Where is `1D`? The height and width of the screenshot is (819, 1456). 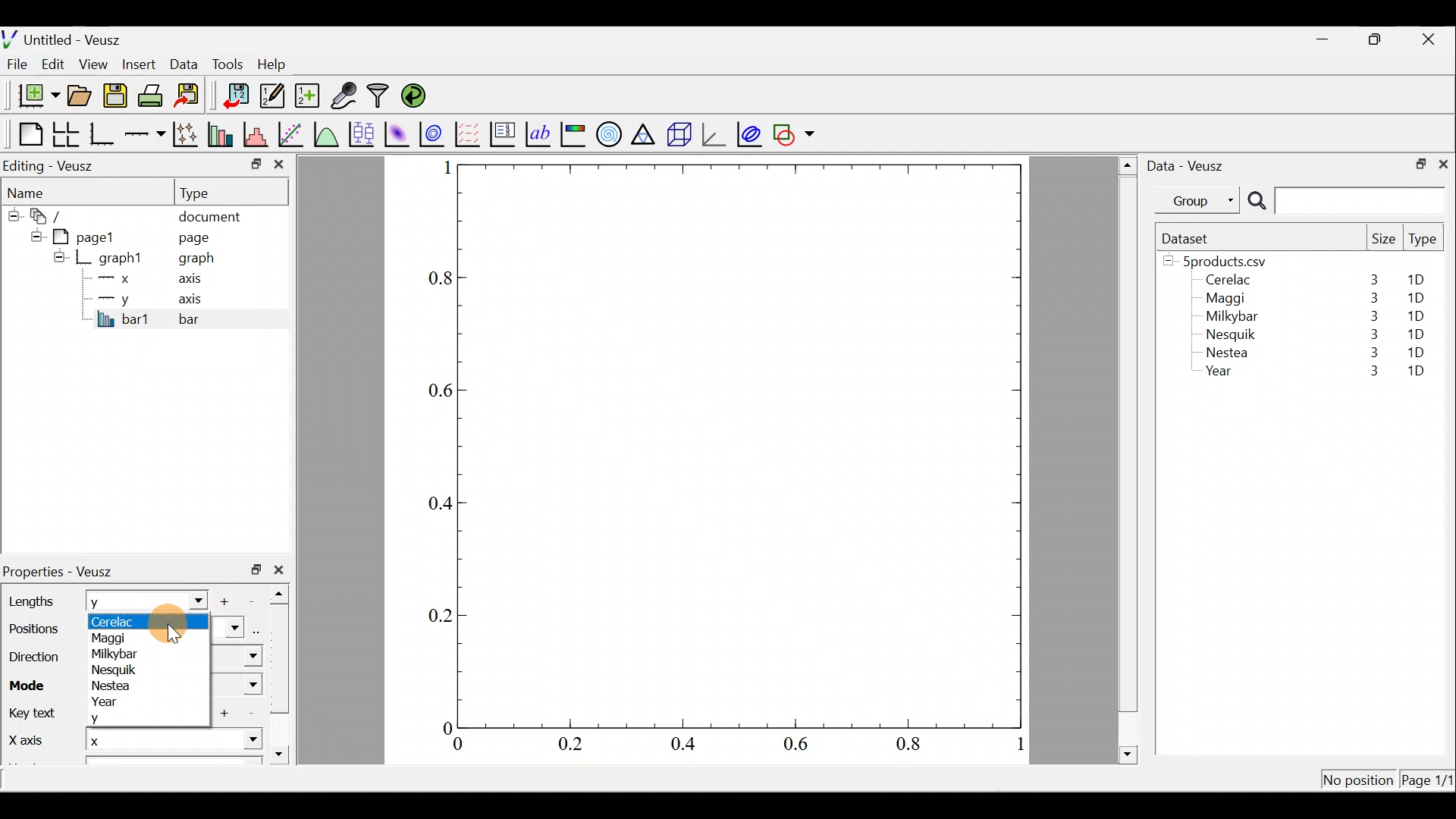
1D is located at coordinates (1412, 315).